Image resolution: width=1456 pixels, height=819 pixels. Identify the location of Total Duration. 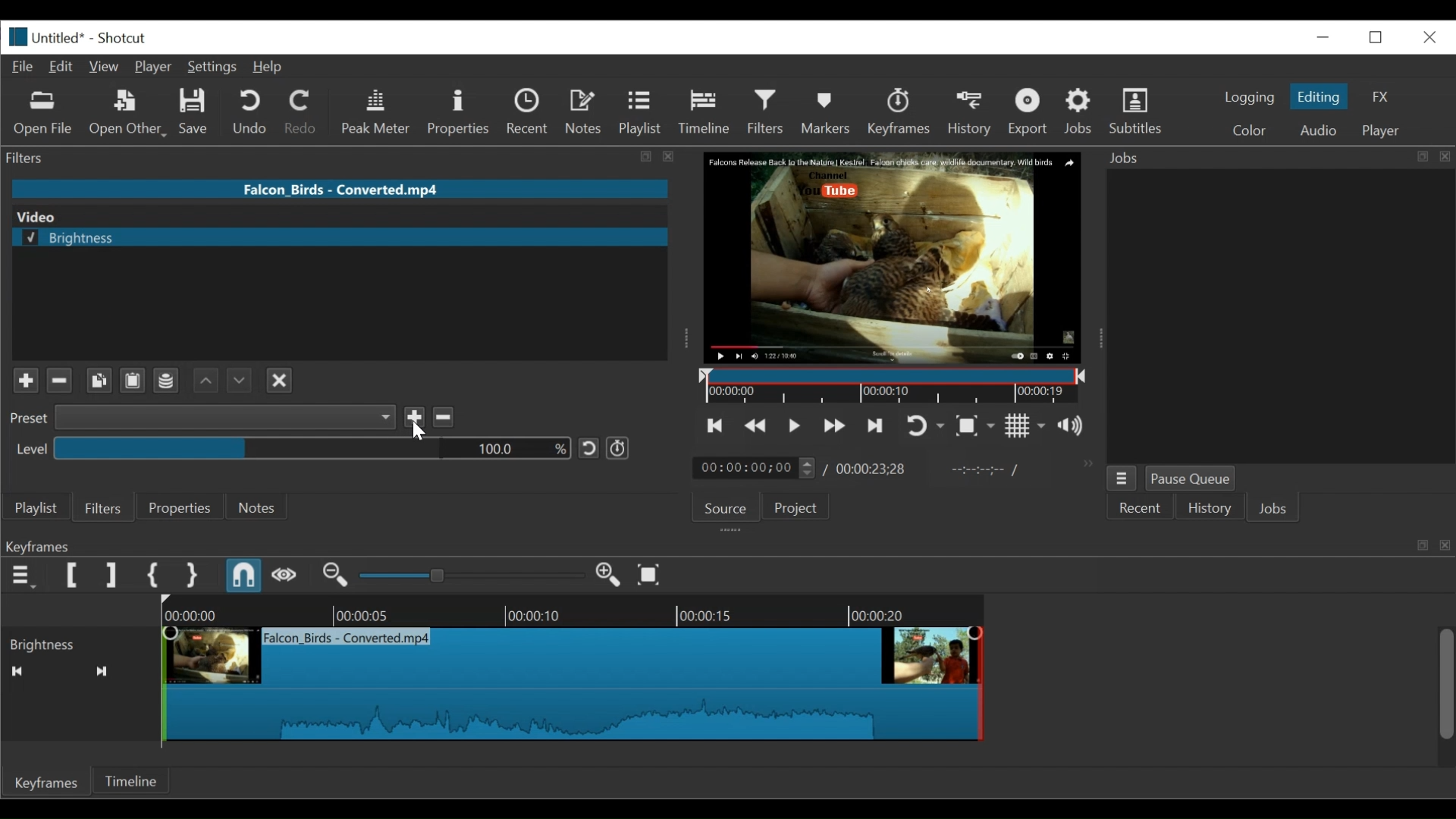
(871, 469).